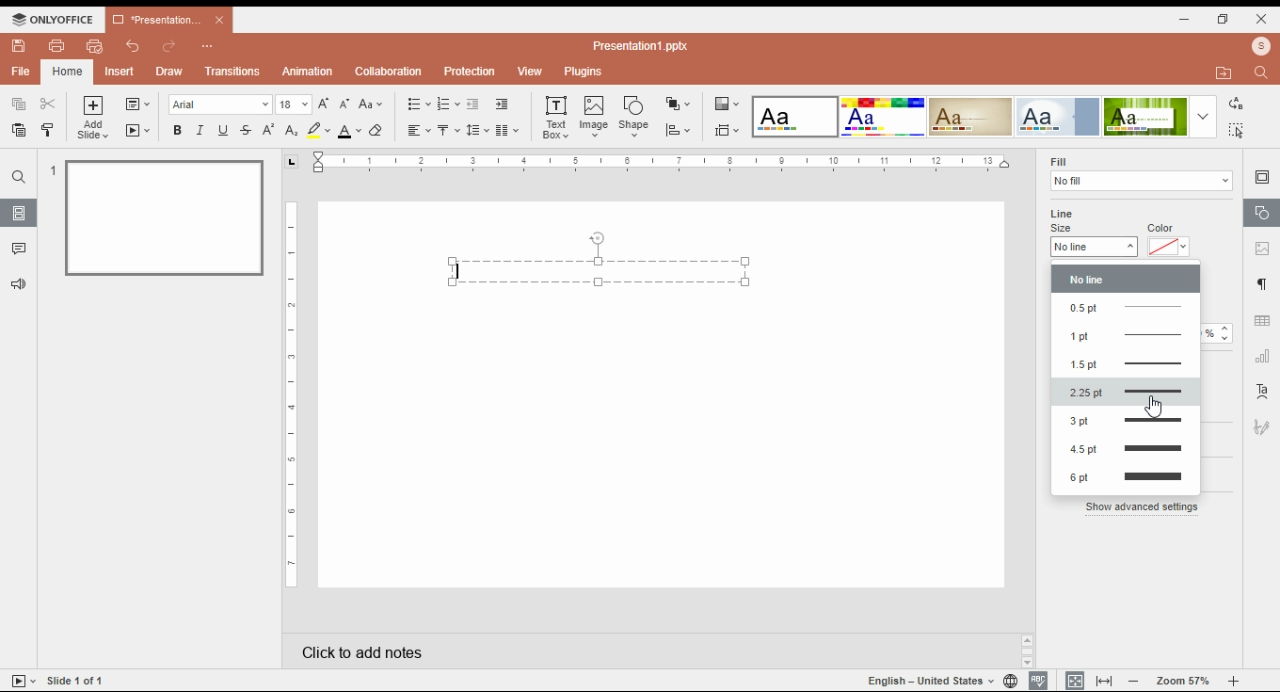  Describe the element at coordinates (479, 130) in the screenshot. I see `line spacing` at that location.